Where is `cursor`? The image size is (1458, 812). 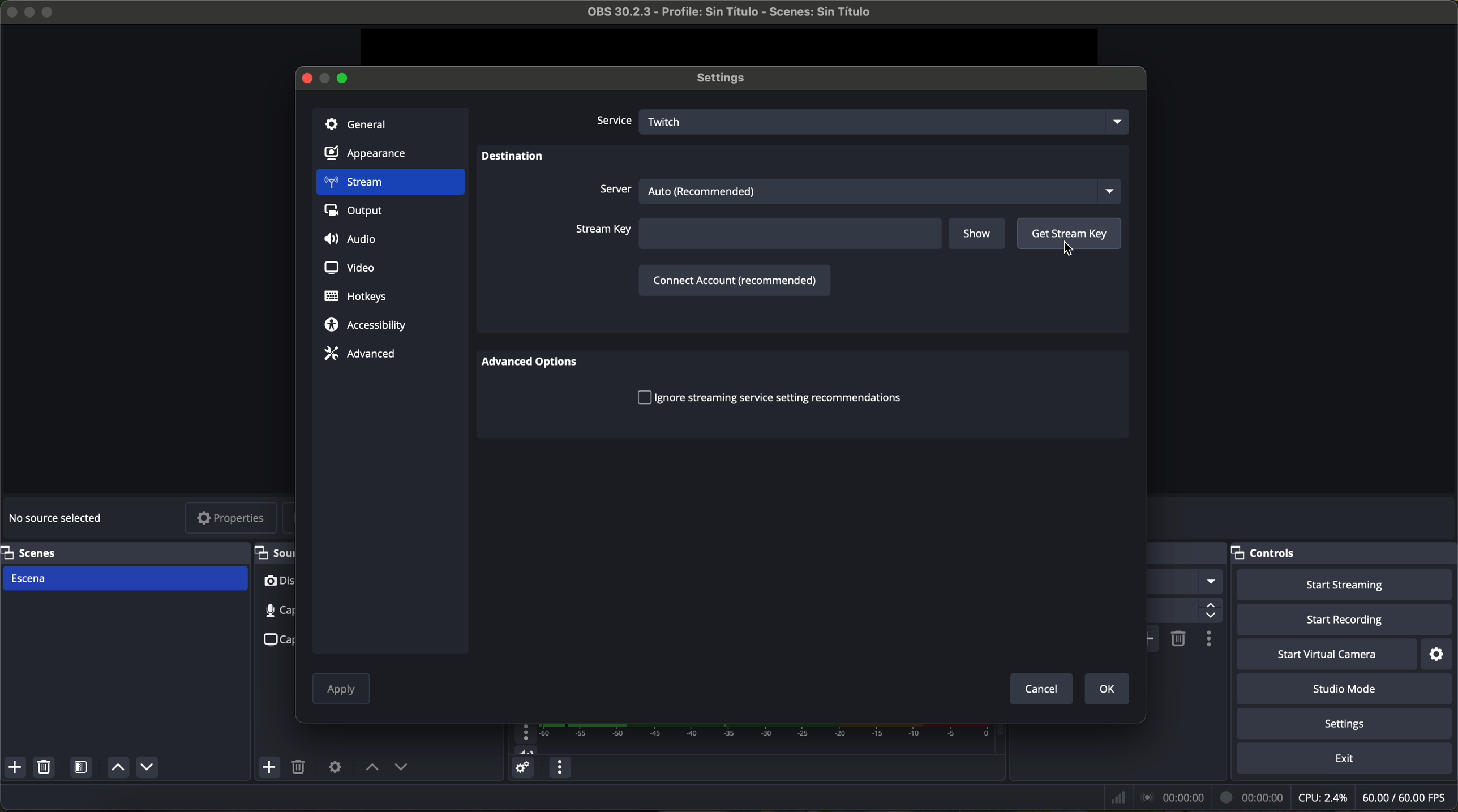
cursor is located at coordinates (1069, 249).